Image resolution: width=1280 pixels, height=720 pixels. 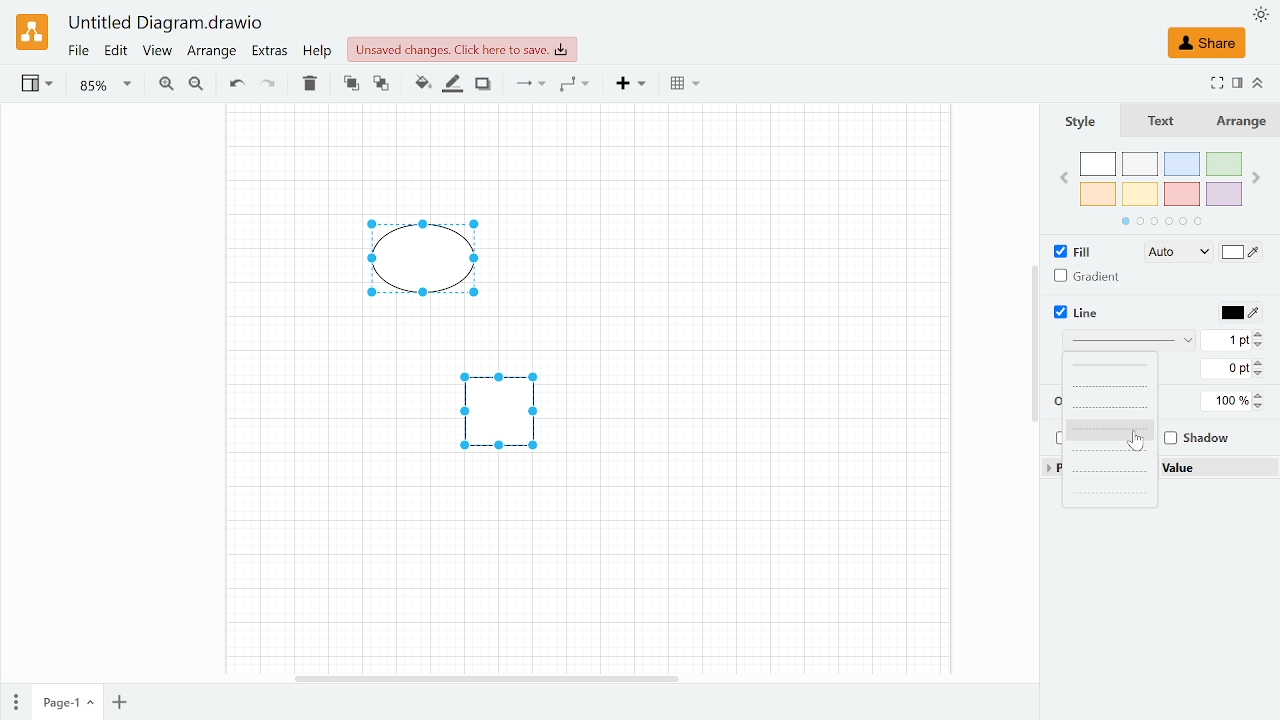 I want to click on Gradient, so click(x=1093, y=277).